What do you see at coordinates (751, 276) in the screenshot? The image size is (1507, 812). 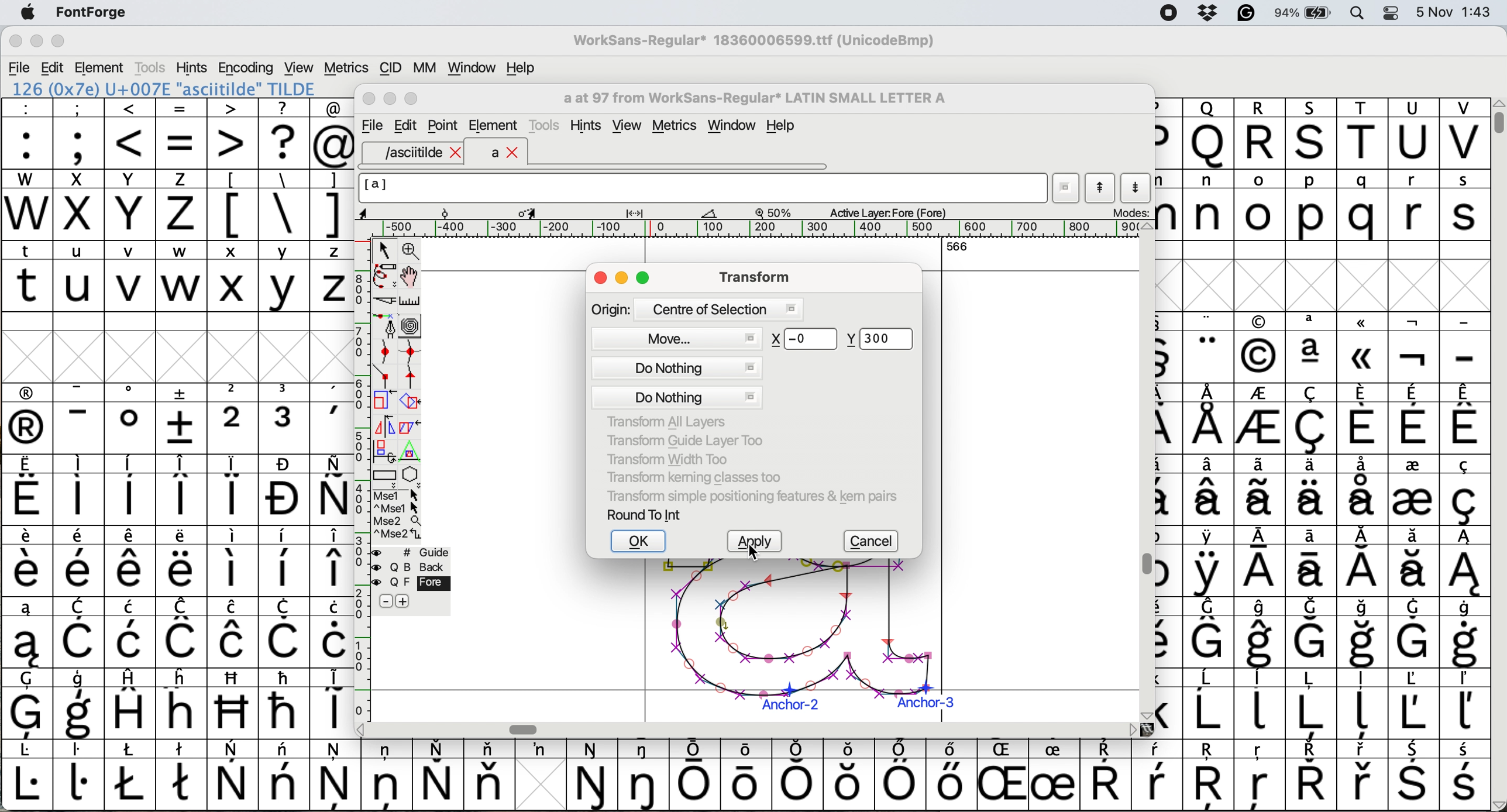 I see `transform` at bounding box center [751, 276].